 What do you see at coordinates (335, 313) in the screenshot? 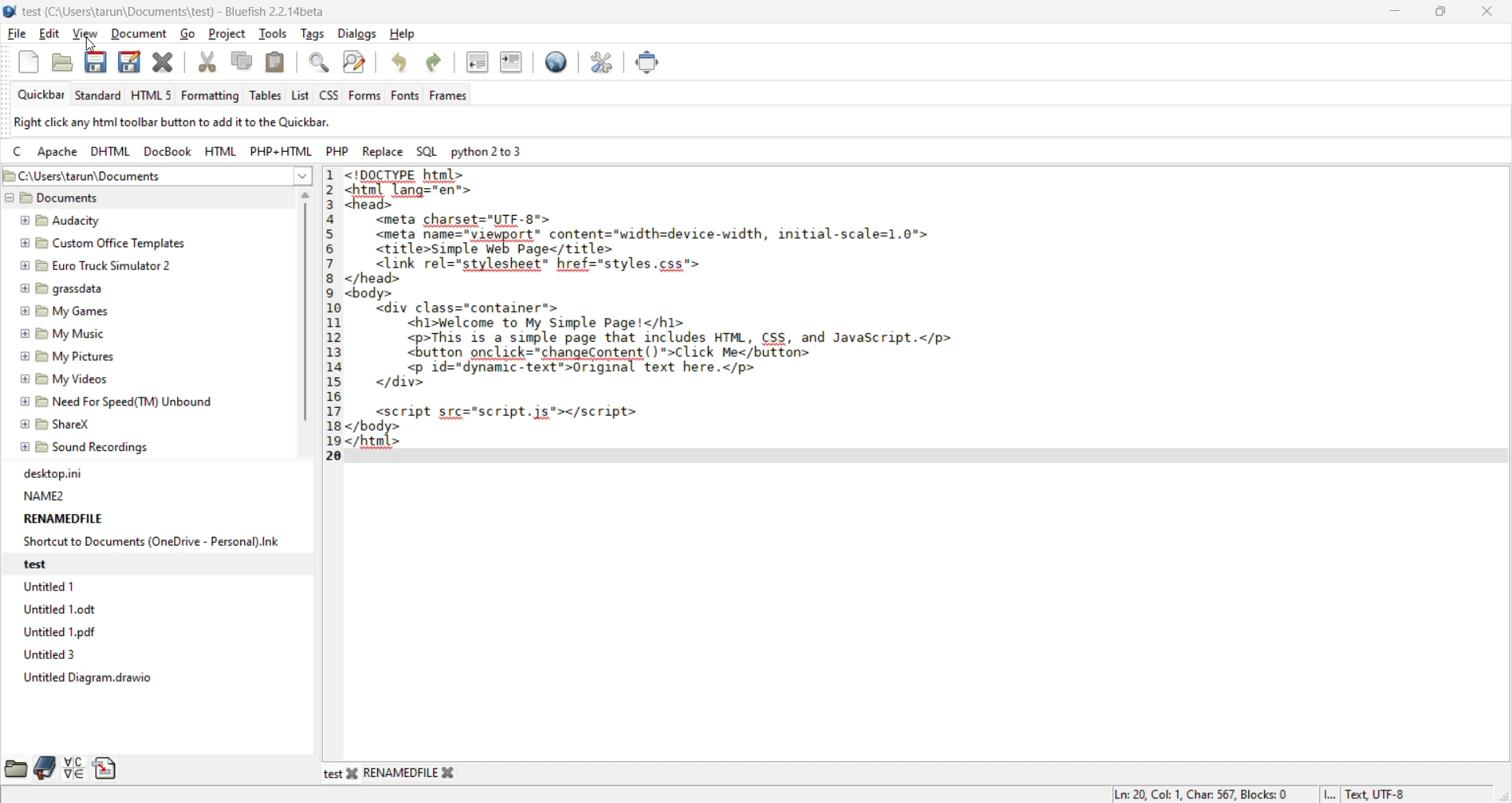
I see `line number` at bounding box center [335, 313].